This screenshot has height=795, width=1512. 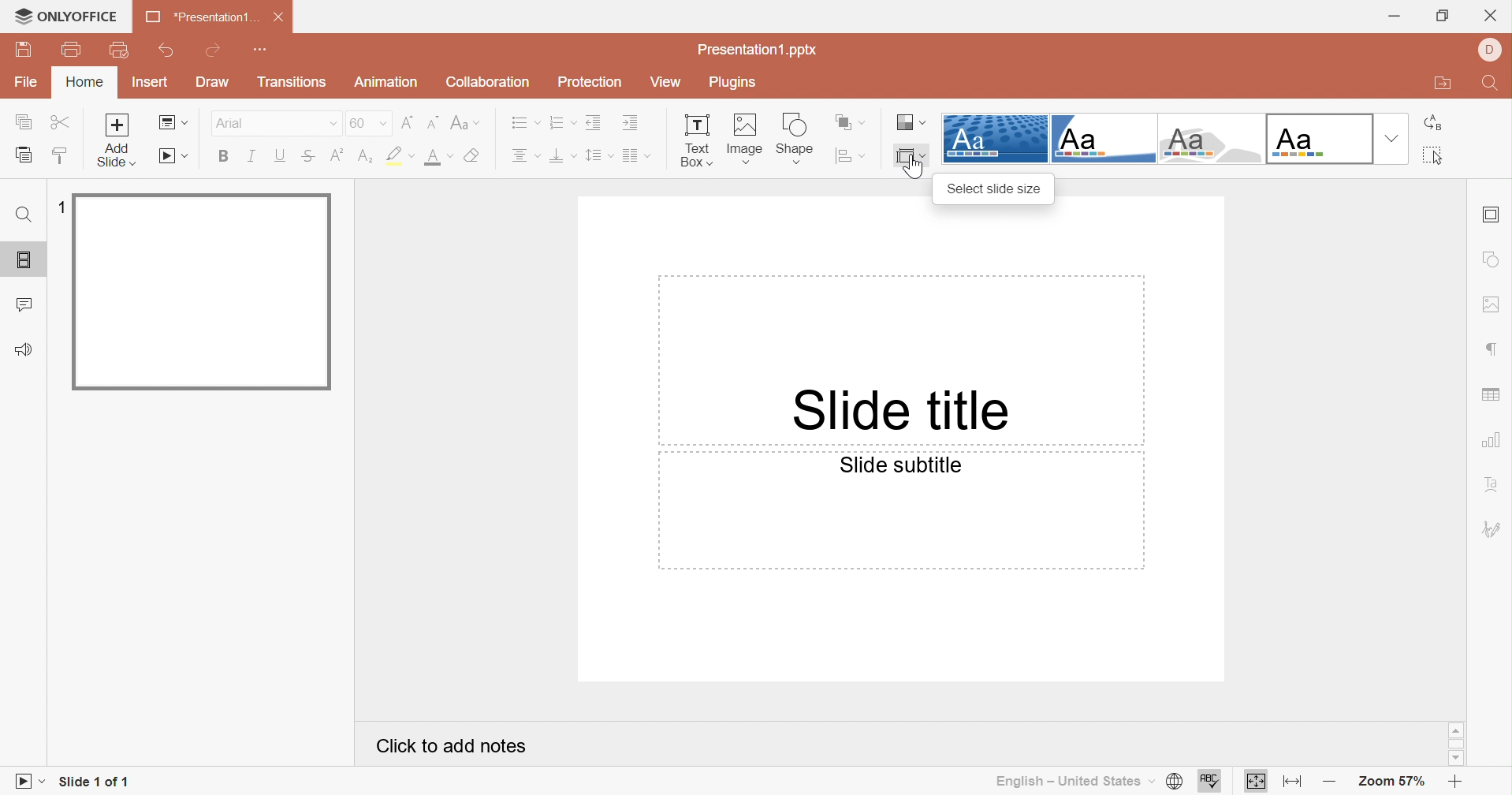 I want to click on Cut, so click(x=58, y=121).